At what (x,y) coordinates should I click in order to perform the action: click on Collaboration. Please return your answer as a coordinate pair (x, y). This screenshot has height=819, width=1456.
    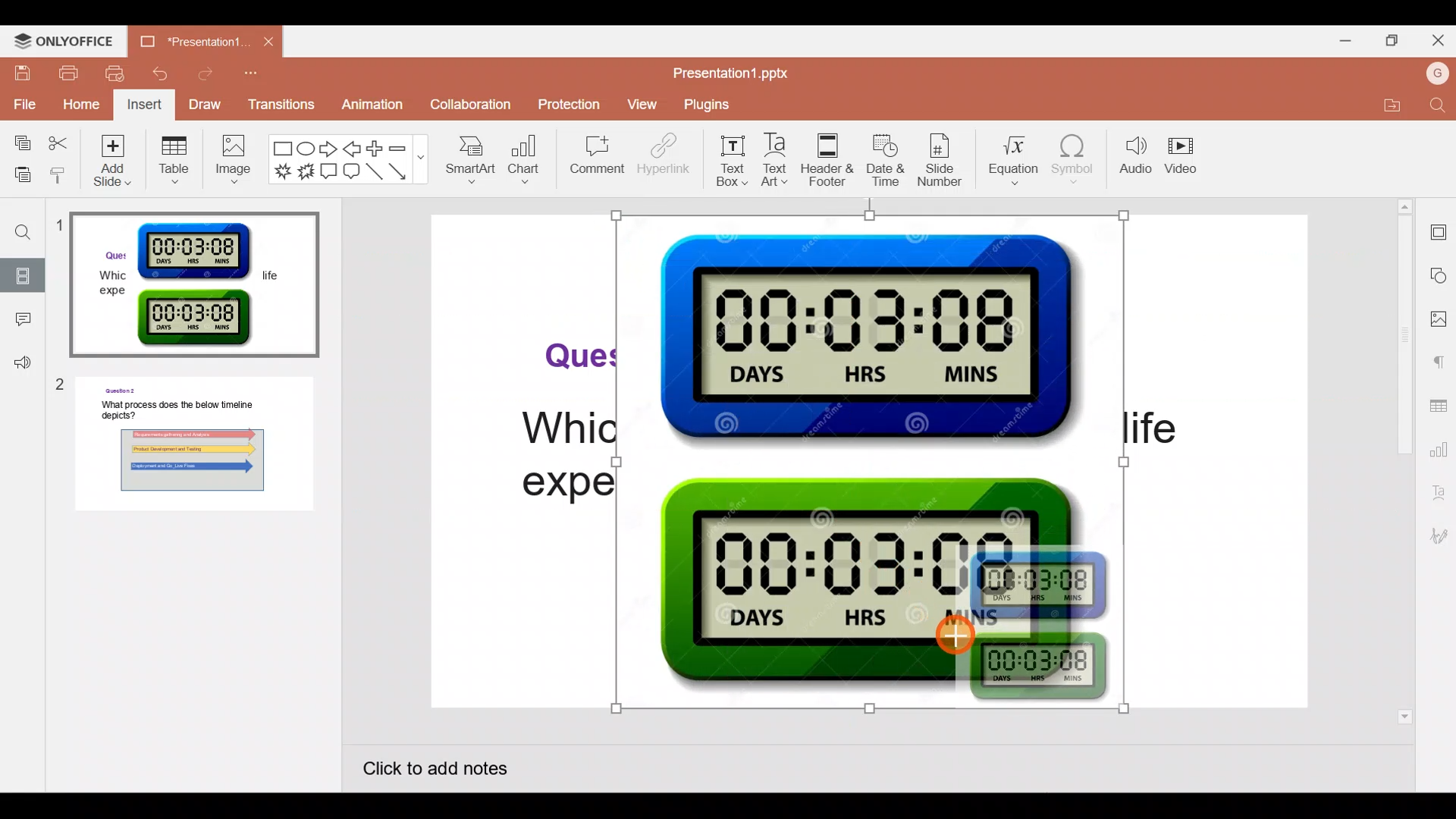
    Looking at the image, I should click on (464, 104).